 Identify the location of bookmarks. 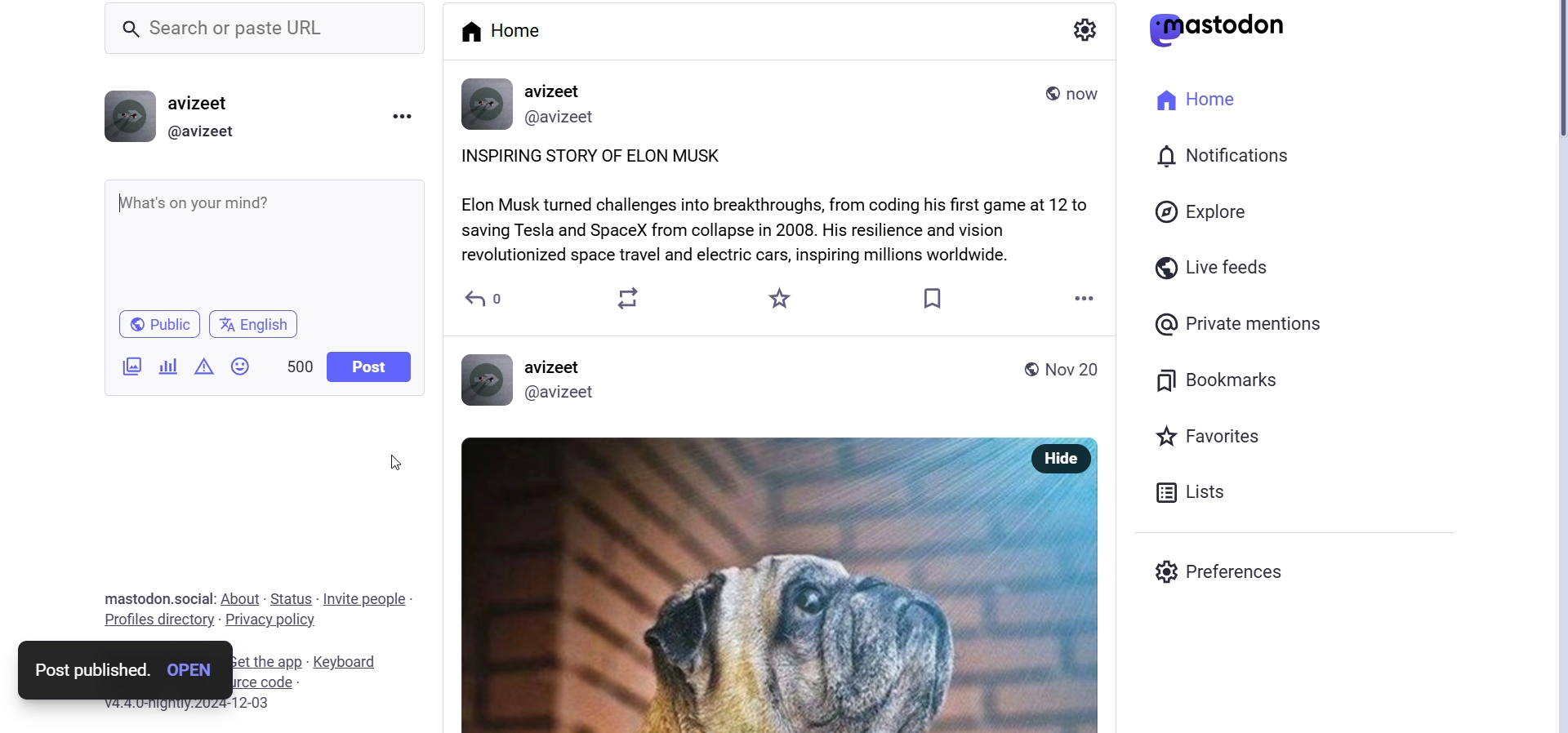
(1223, 377).